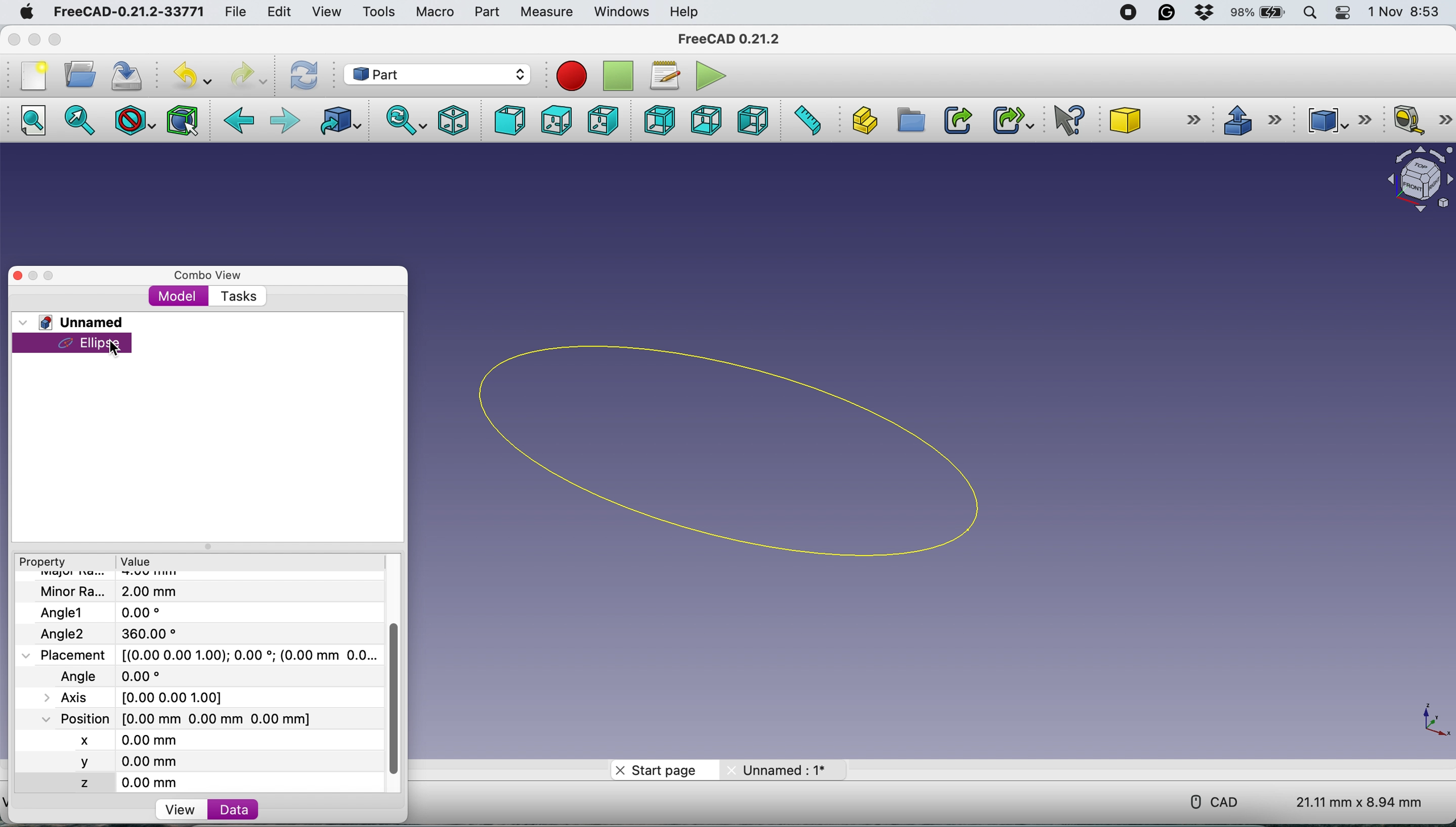  I want to click on cube, so click(1157, 118).